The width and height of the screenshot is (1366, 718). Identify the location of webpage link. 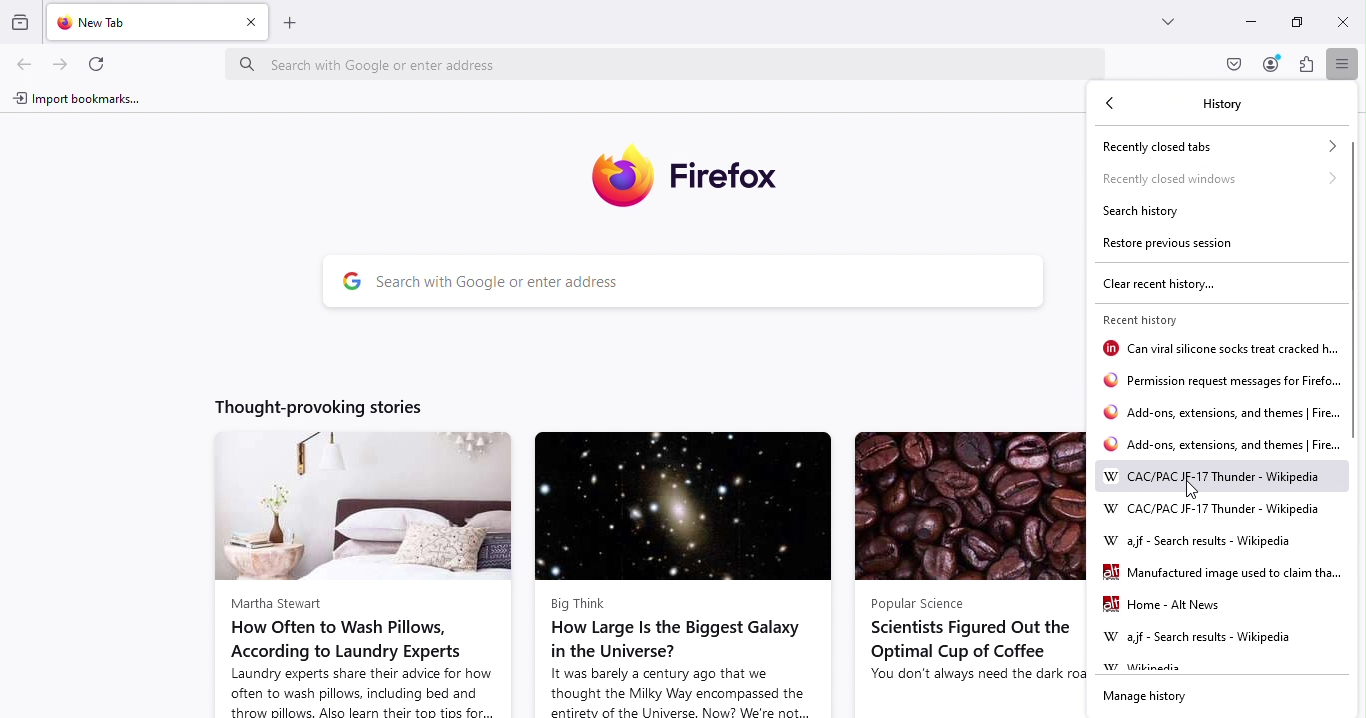
(1206, 540).